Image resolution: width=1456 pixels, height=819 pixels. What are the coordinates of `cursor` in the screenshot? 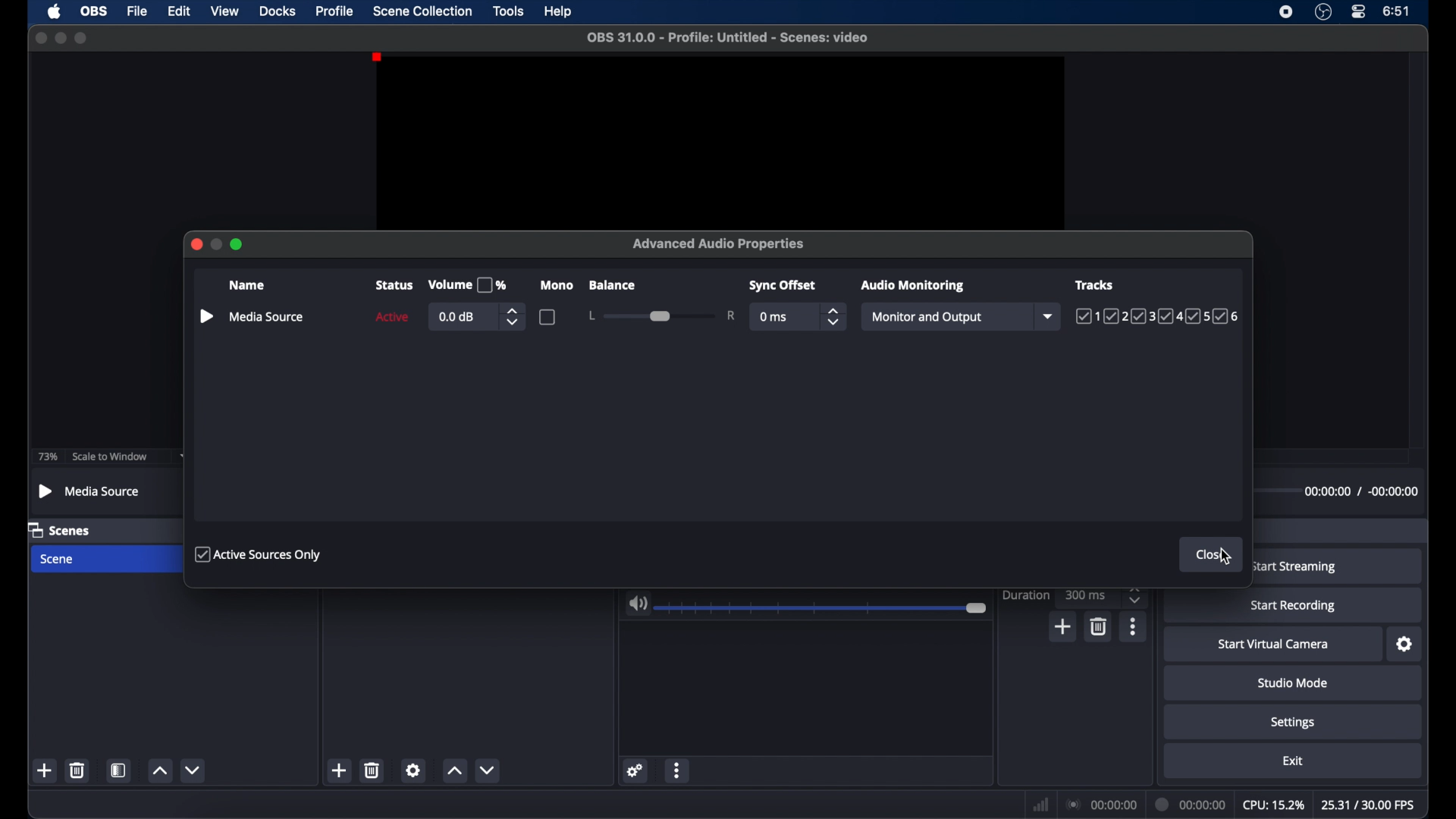 It's located at (1225, 556).